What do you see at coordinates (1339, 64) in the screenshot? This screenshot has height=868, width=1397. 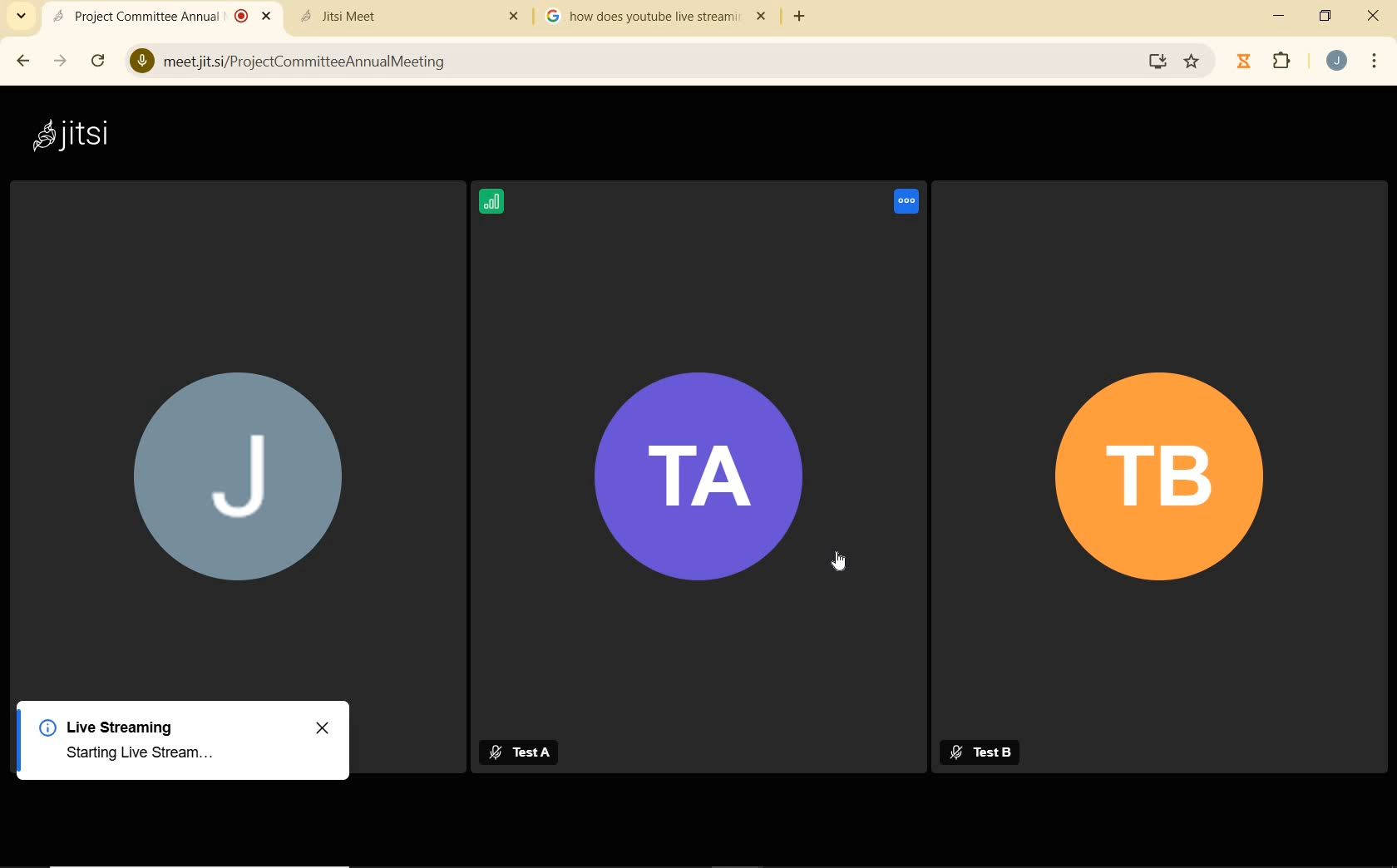 I see `account` at bounding box center [1339, 64].